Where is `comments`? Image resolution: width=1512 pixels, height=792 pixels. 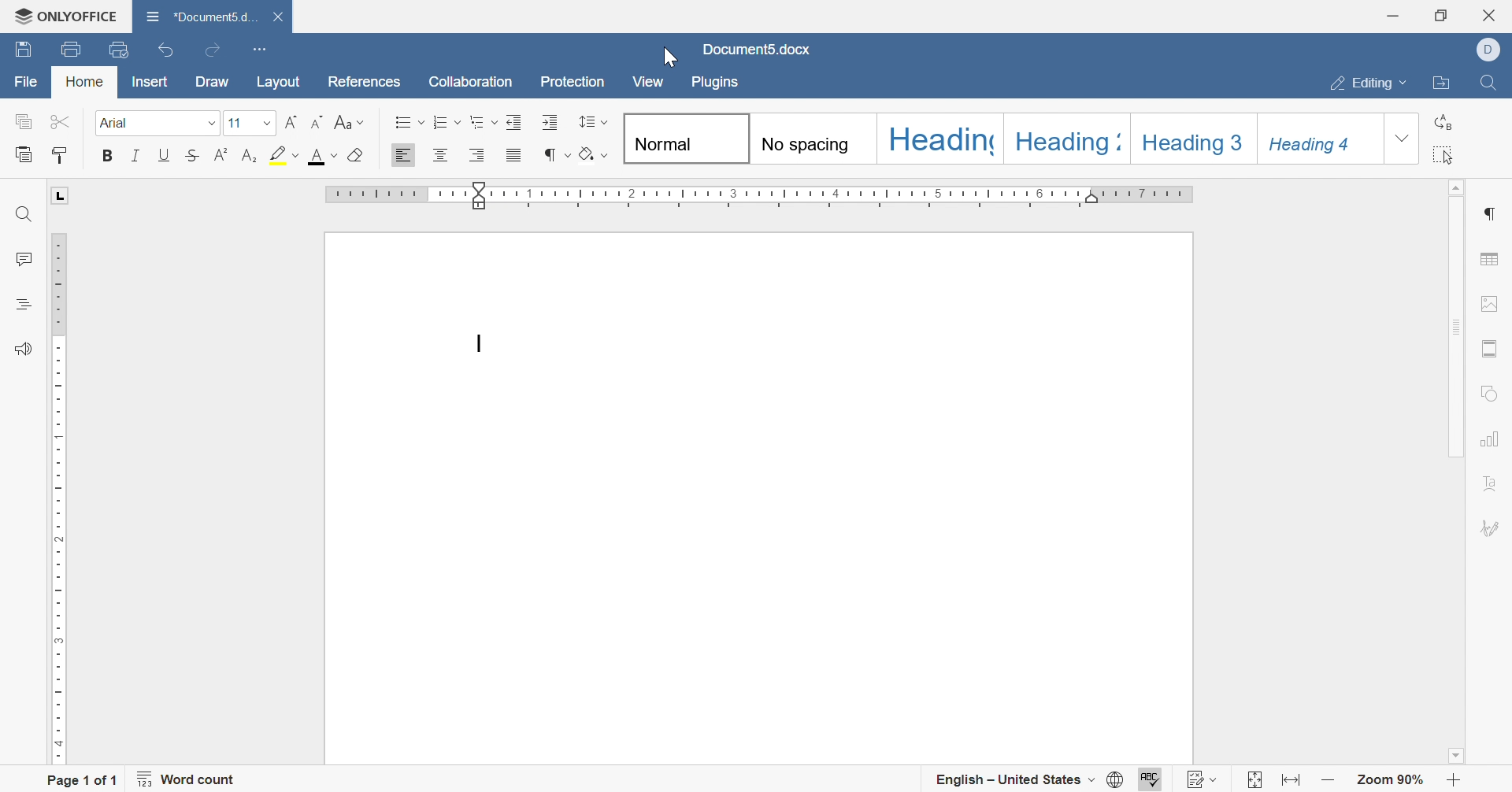
comments is located at coordinates (23, 257).